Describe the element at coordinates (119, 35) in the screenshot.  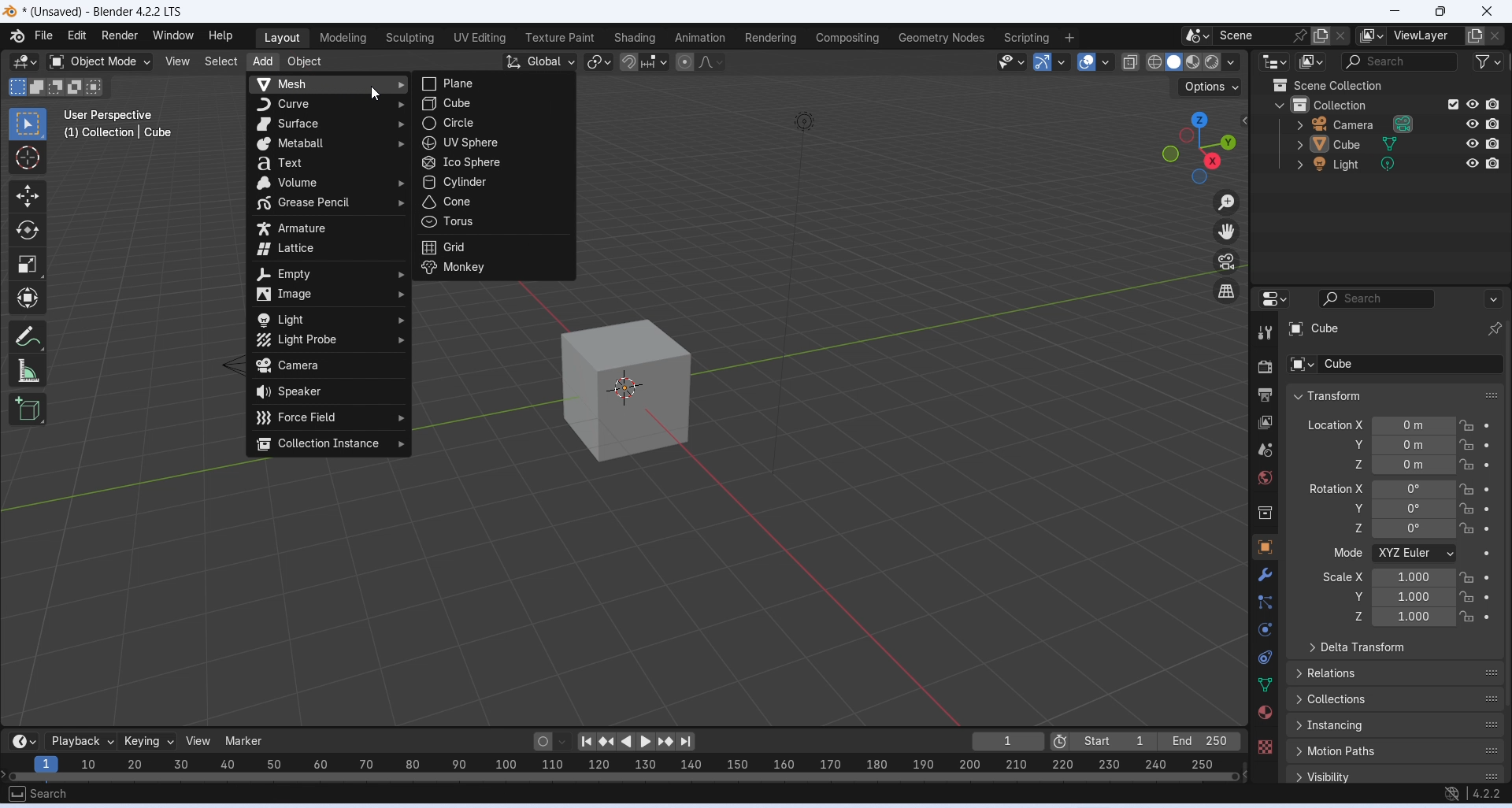
I see `Render` at that location.